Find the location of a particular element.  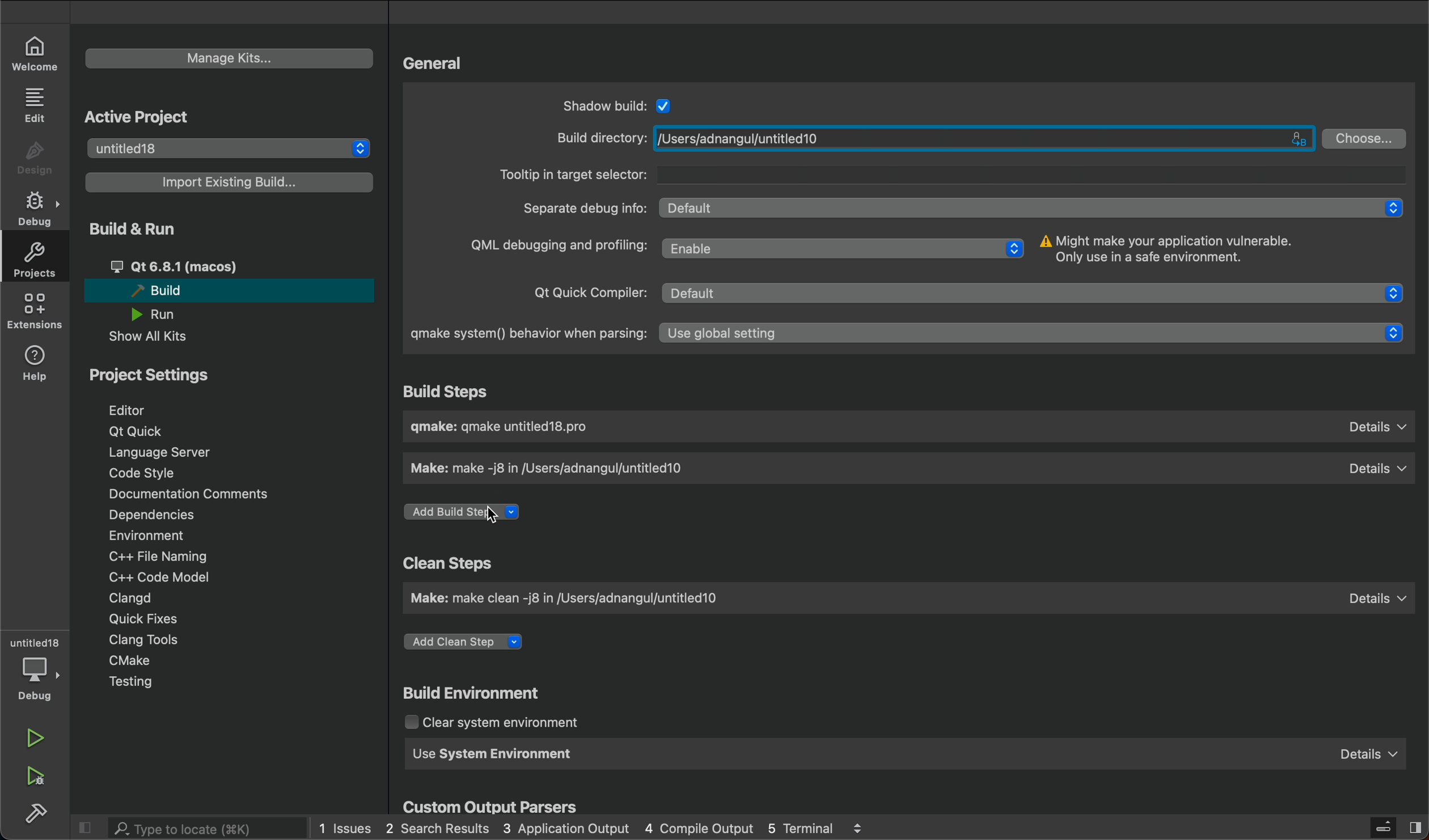

Run is located at coordinates (151, 315).